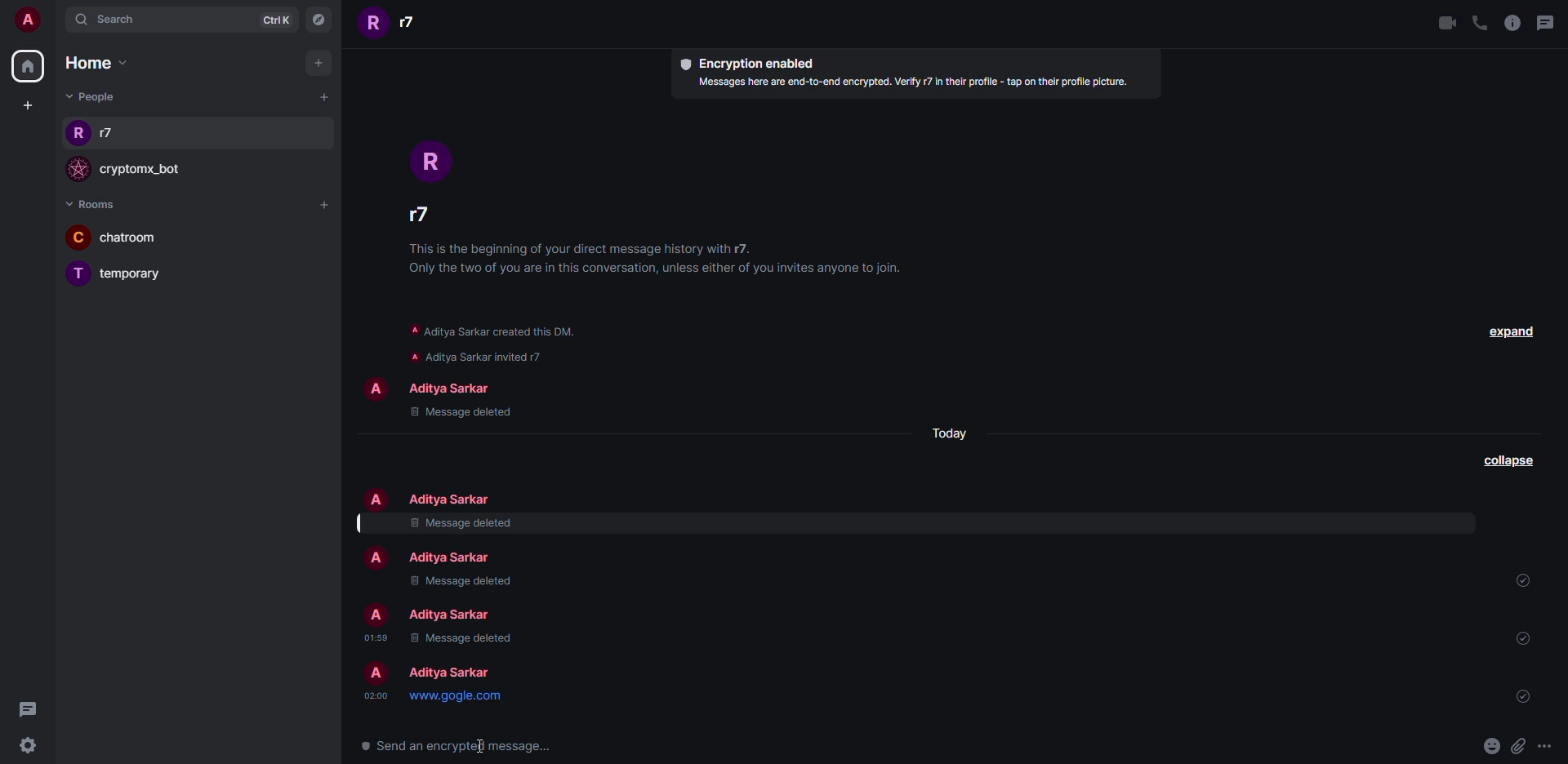 The width and height of the screenshot is (1568, 764). Describe the element at coordinates (274, 19) in the screenshot. I see `ctrlK` at that location.